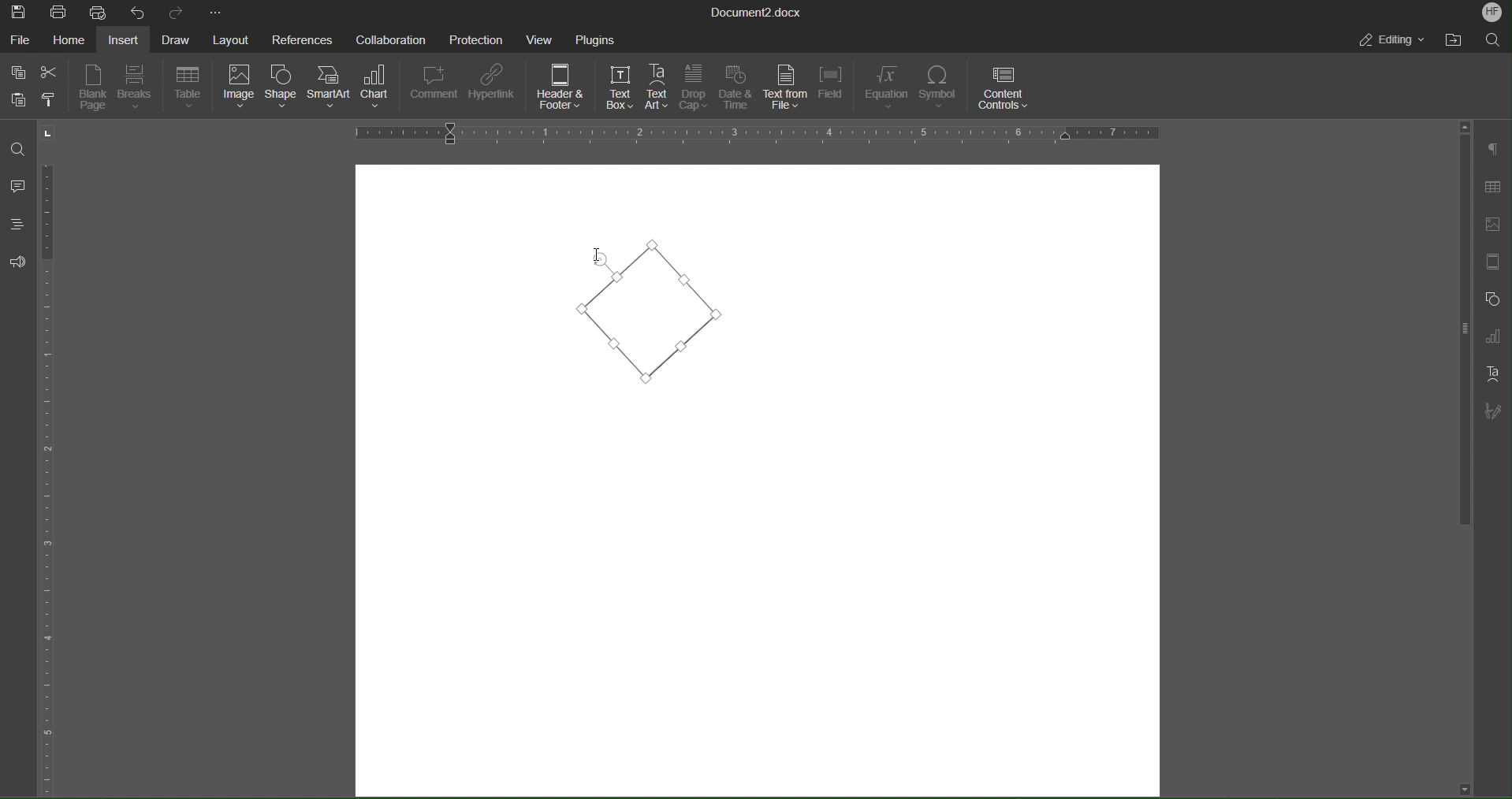 The height and width of the screenshot is (799, 1512). What do you see at coordinates (1493, 39) in the screenshot?
I see `Search` at bounding box center [1493, 39].